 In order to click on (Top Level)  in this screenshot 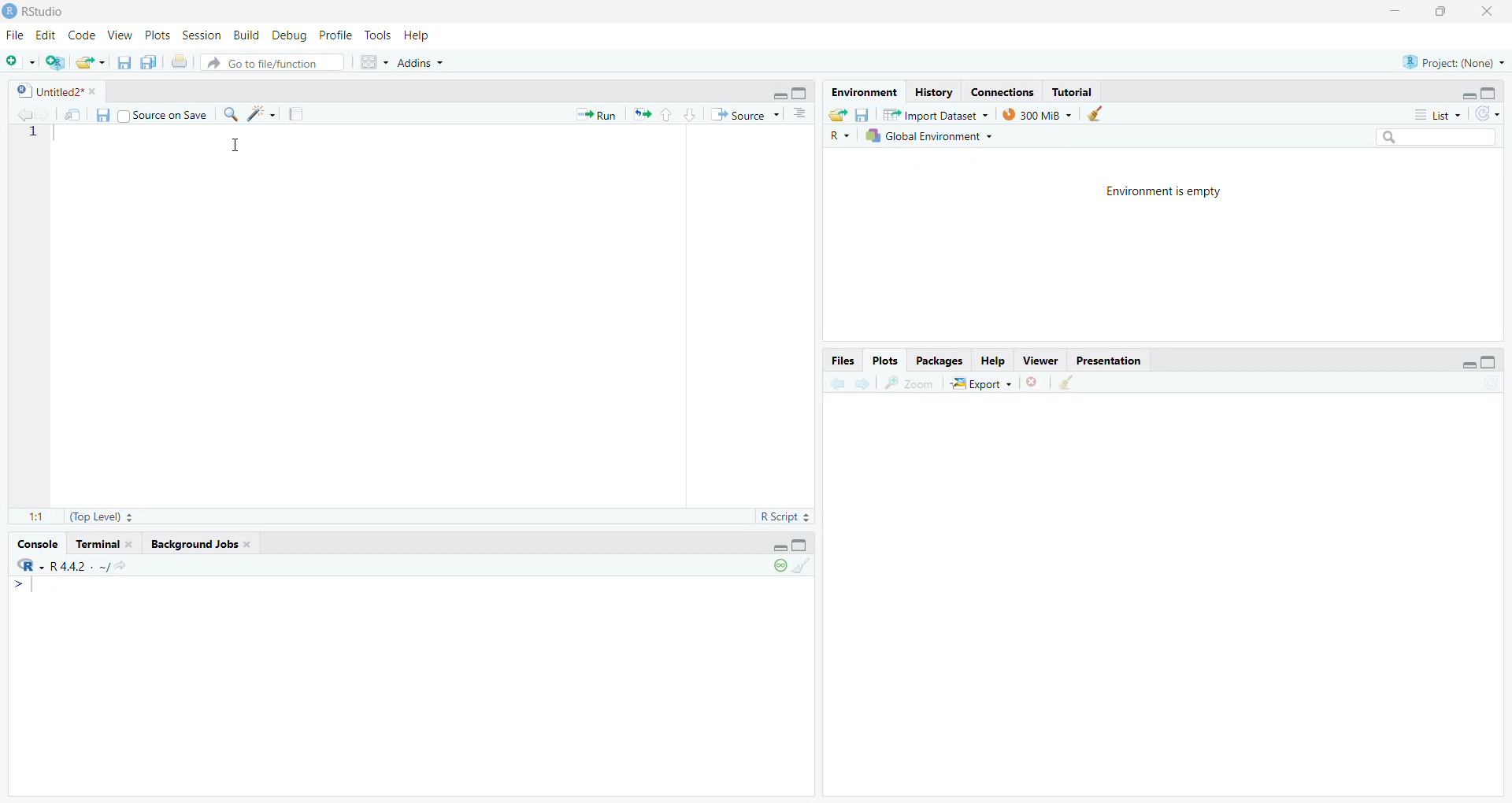, I will do `click(97, 519)`.